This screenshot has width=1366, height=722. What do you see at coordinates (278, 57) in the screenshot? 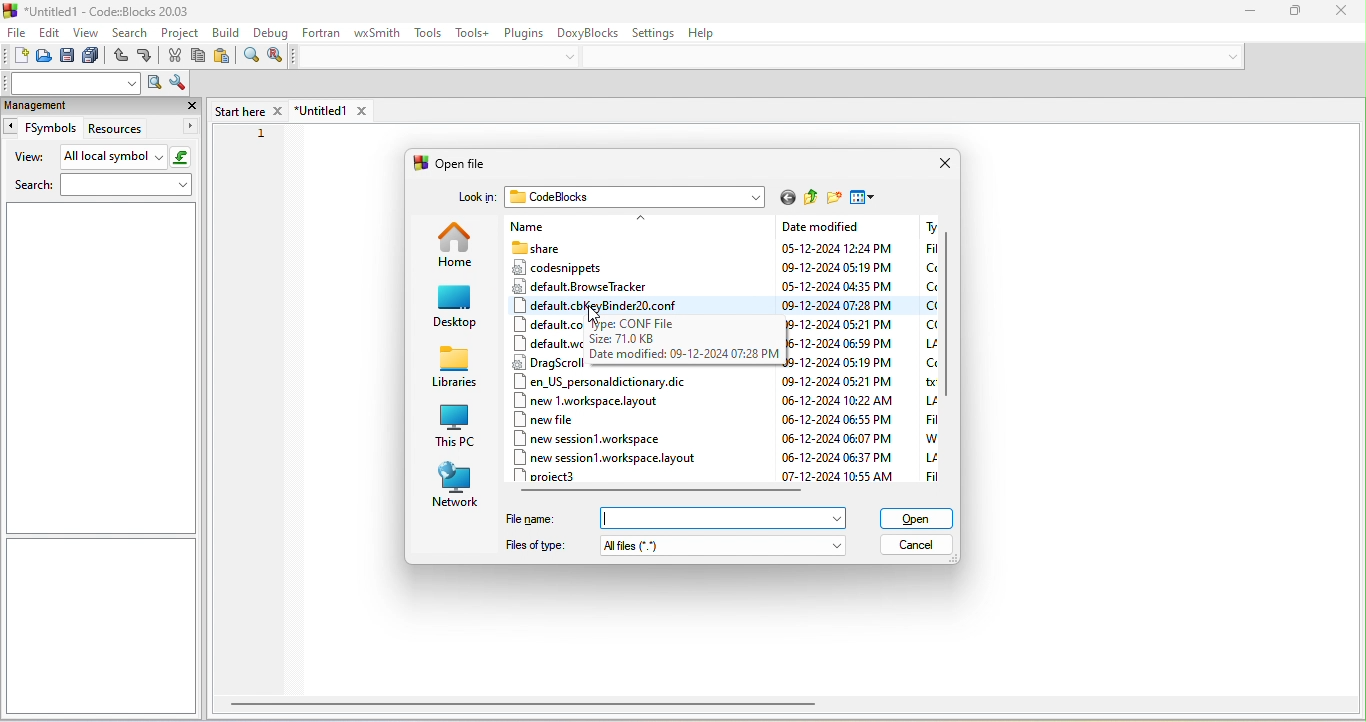
I see `replace` at bounding box center [278, 57].